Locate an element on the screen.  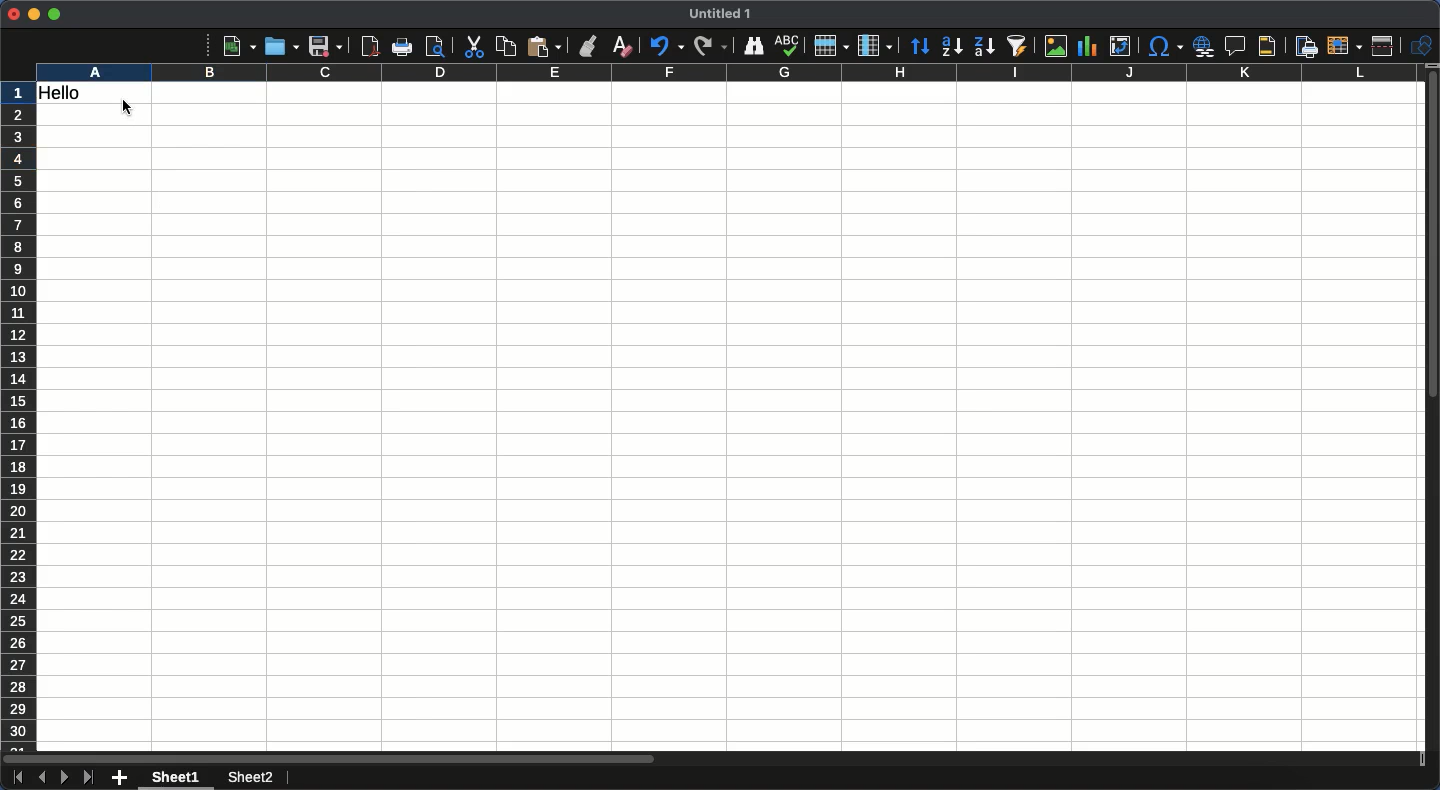
Print preview is located at coordinates (435, 46).